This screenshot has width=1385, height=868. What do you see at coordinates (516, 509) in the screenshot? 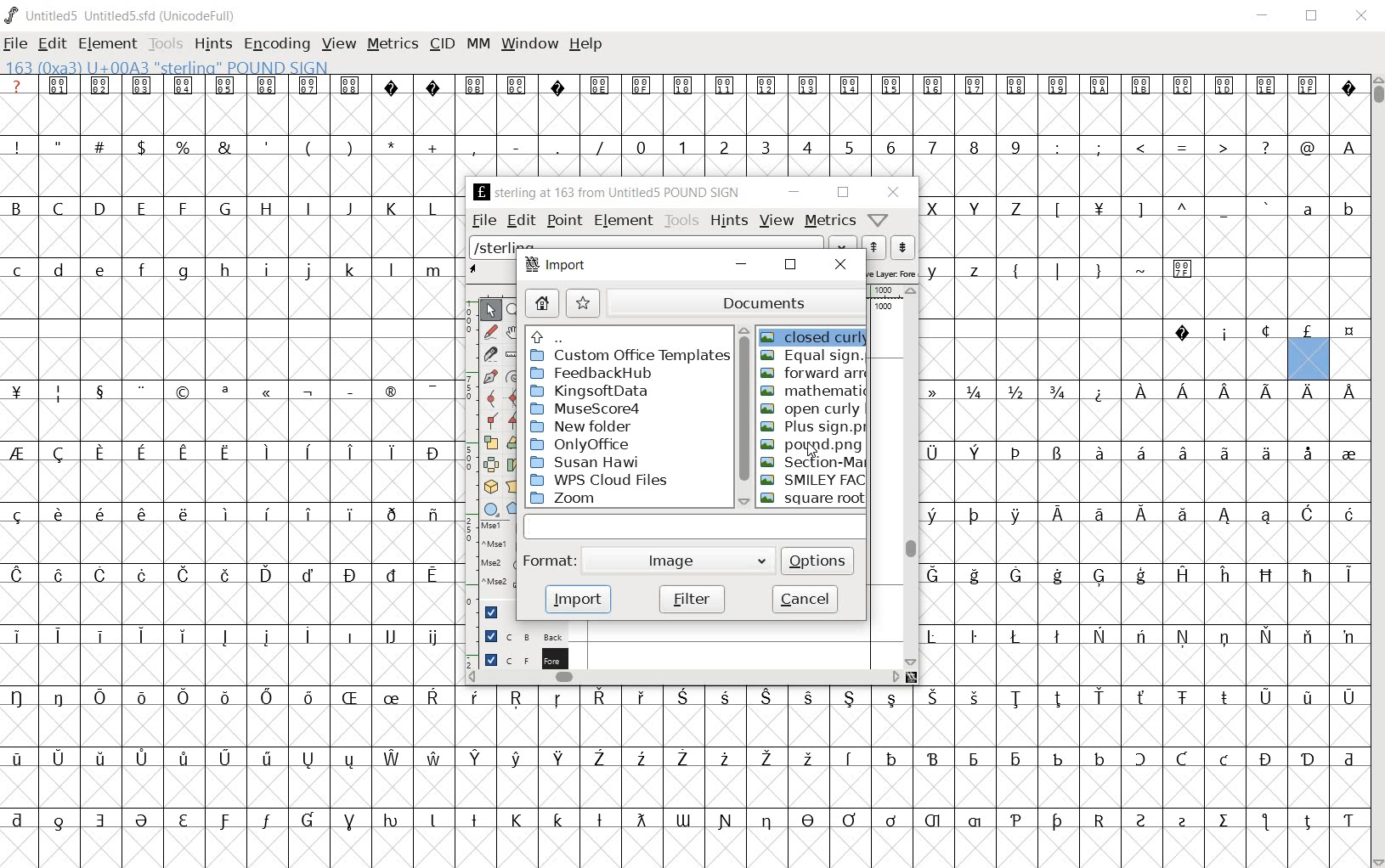
I see `Polygon/star` at bounding box center [516, 509].